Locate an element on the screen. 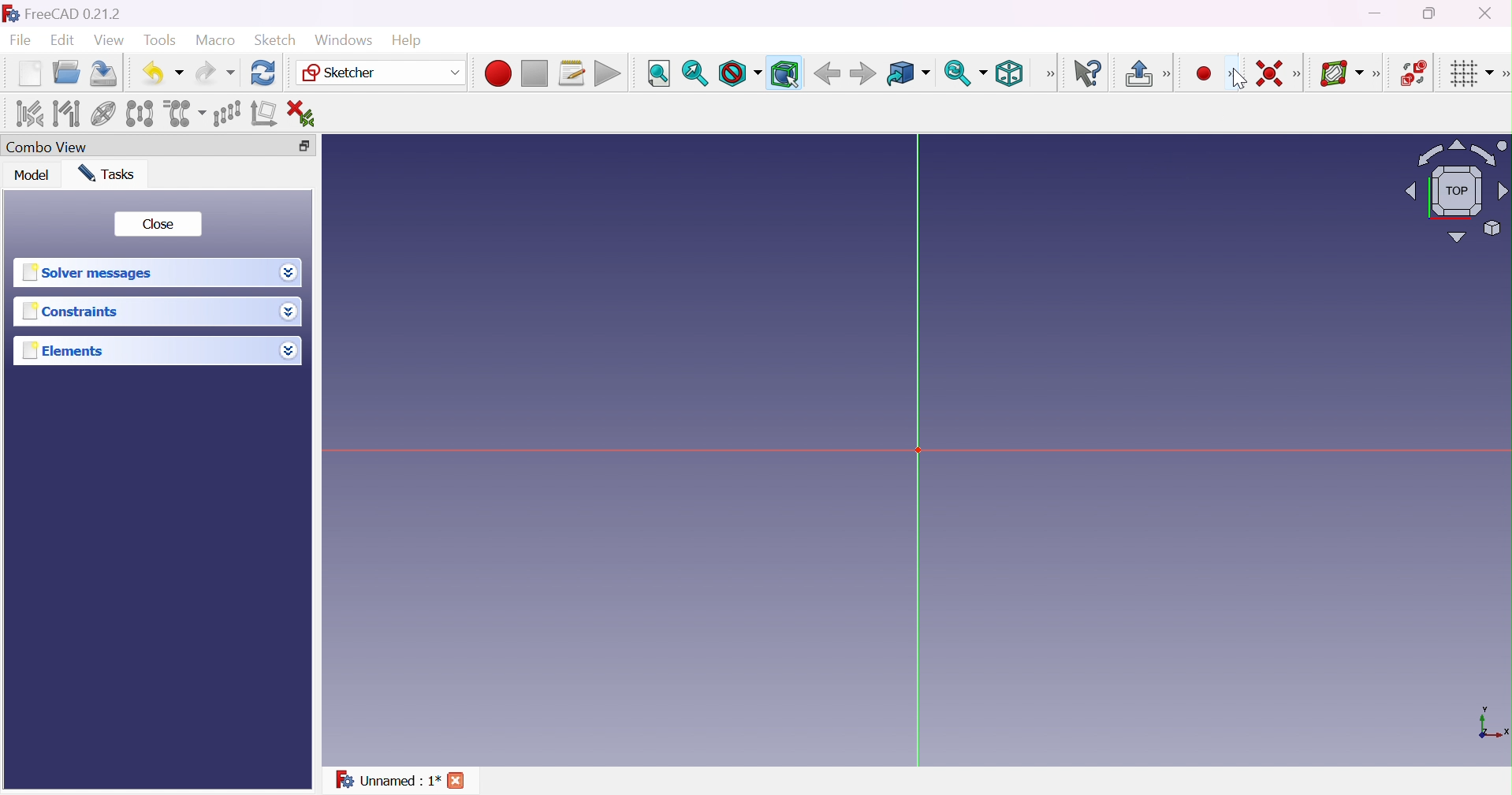  Macros recording is located at coordinates (497, 73).